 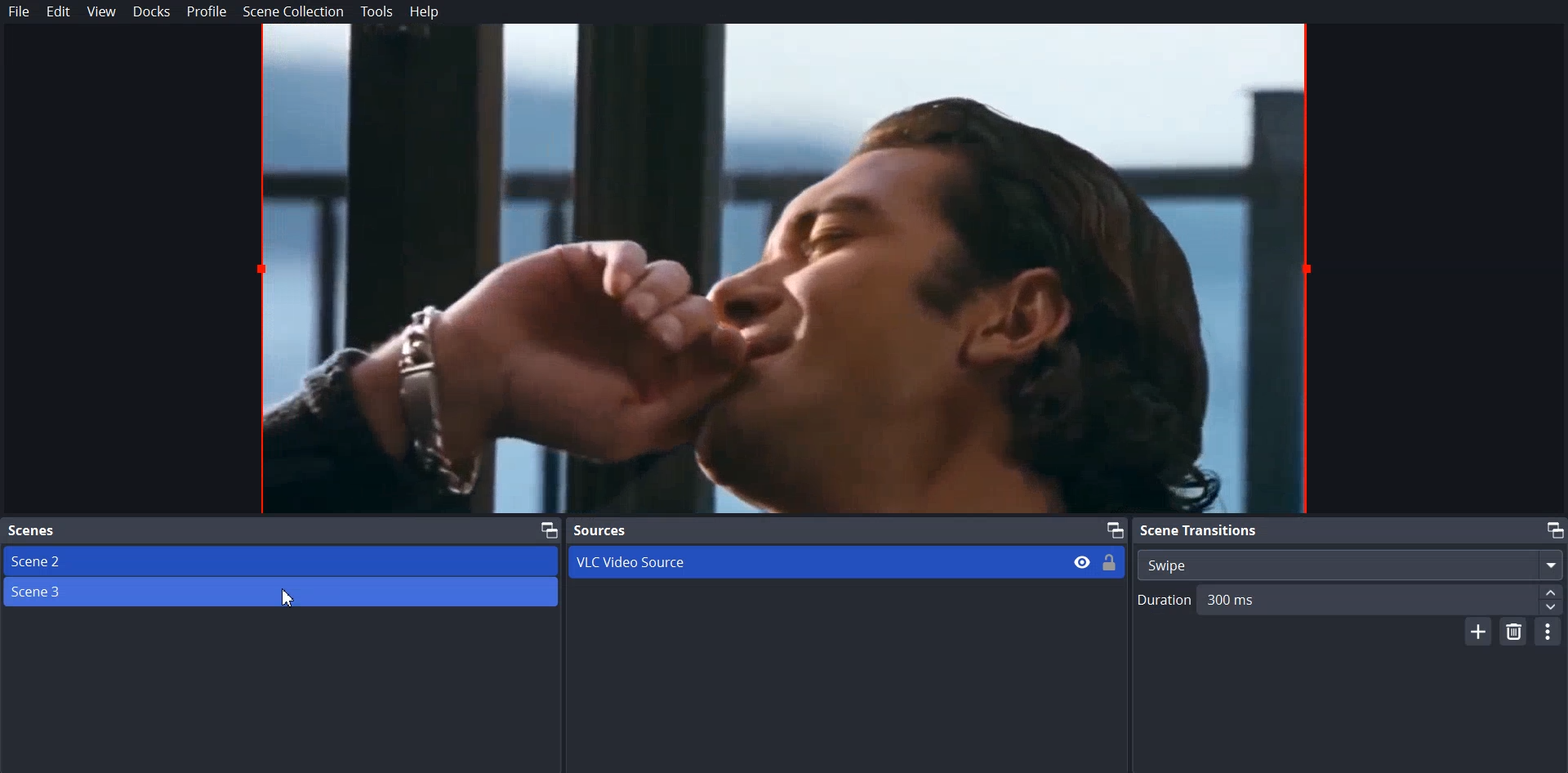 I want to click on Add Scene Transition, so click(x=1478, y=632).